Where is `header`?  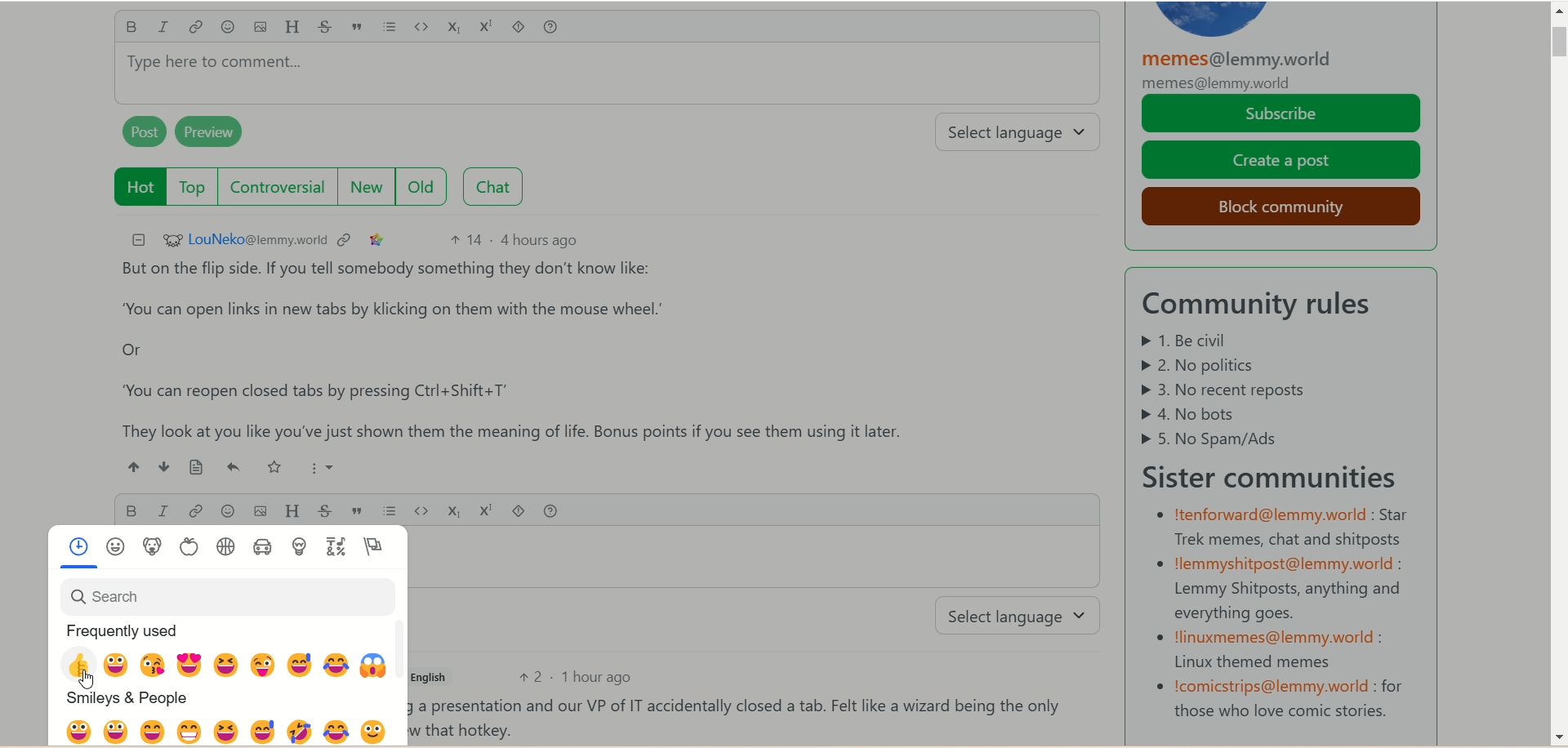 header is located at coordinates (292, 27).